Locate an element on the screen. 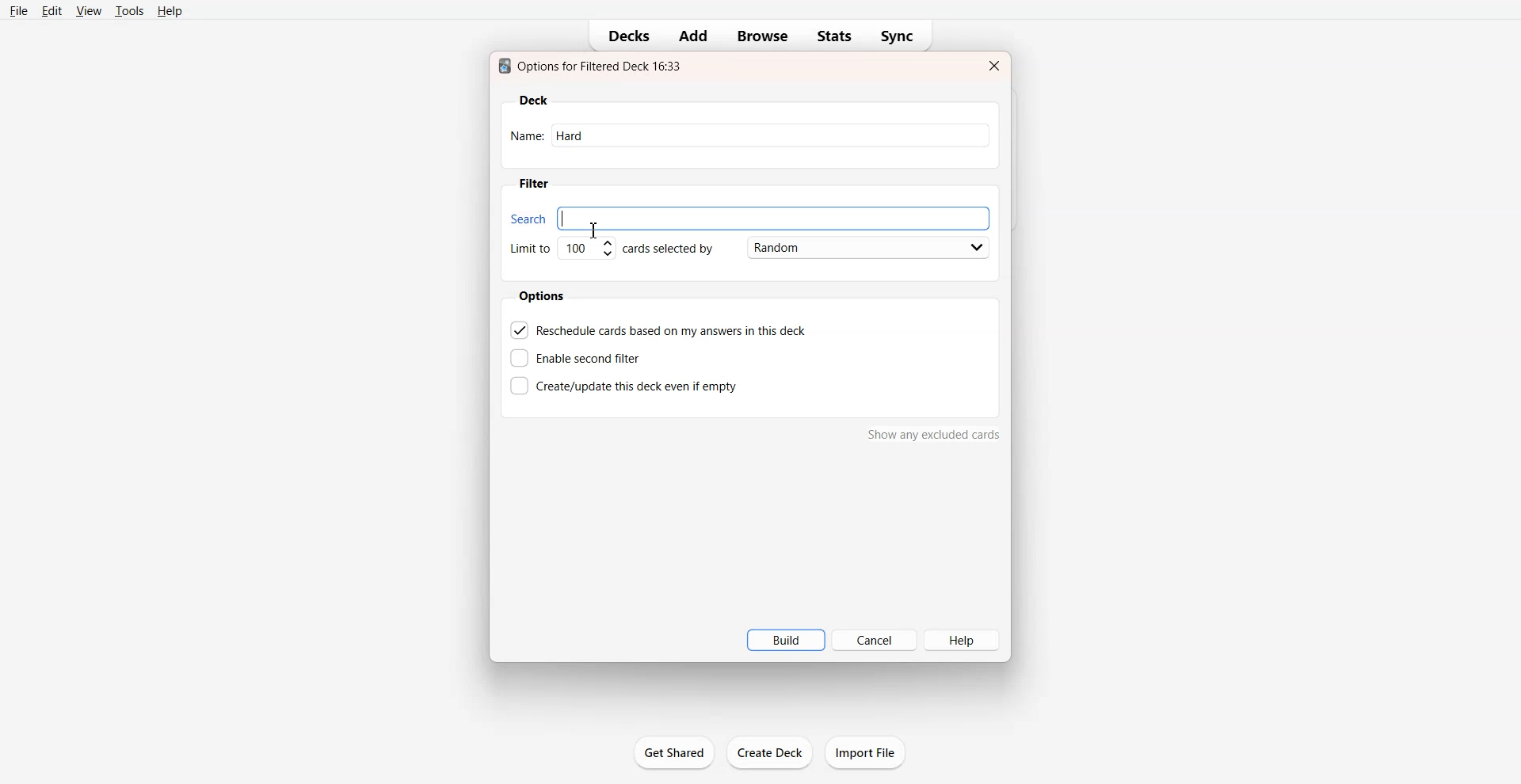  Text is located at coordinates (594, 67).